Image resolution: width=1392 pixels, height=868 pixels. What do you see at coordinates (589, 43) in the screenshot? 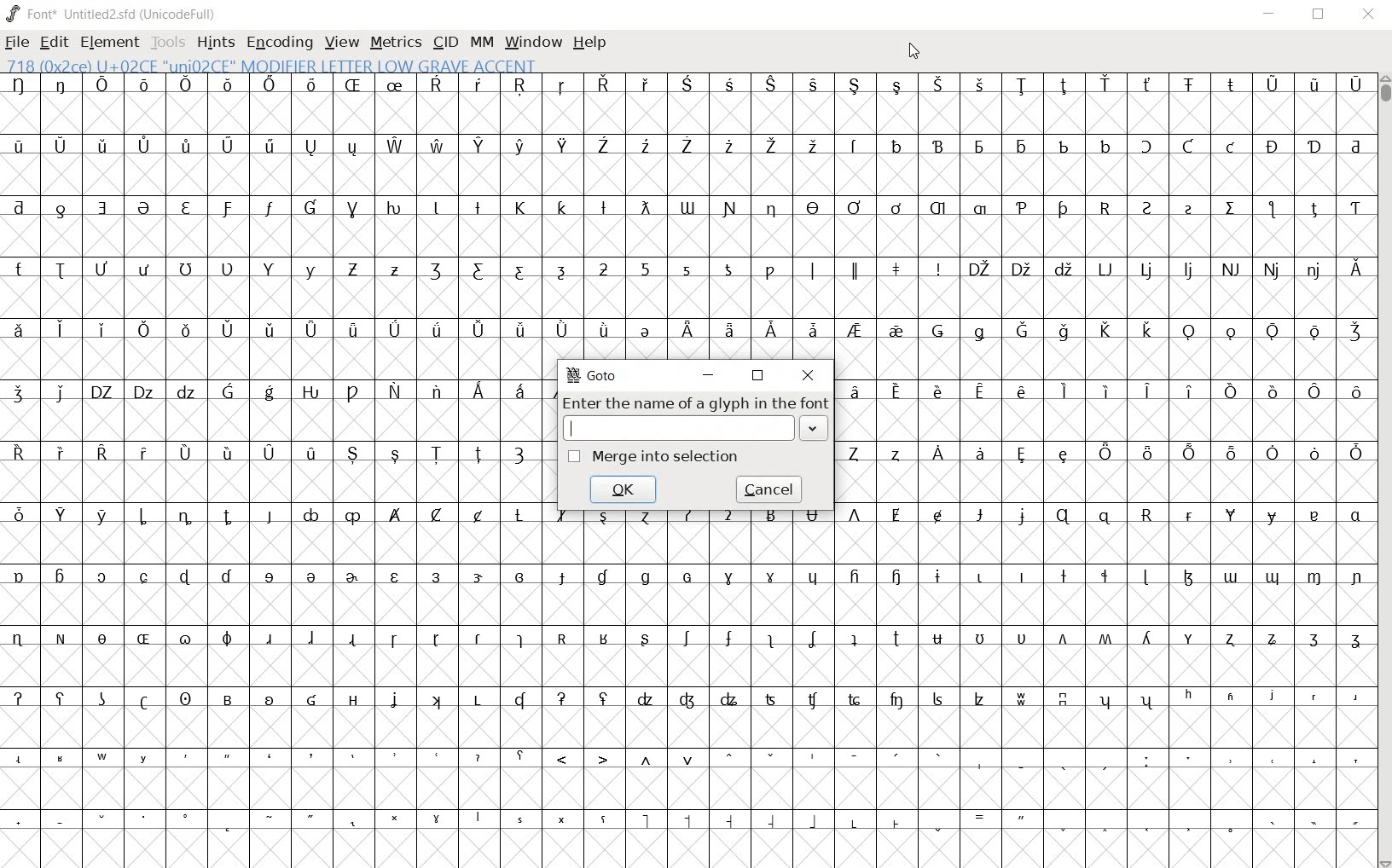
I see `help` at bounding box center [589, 43].